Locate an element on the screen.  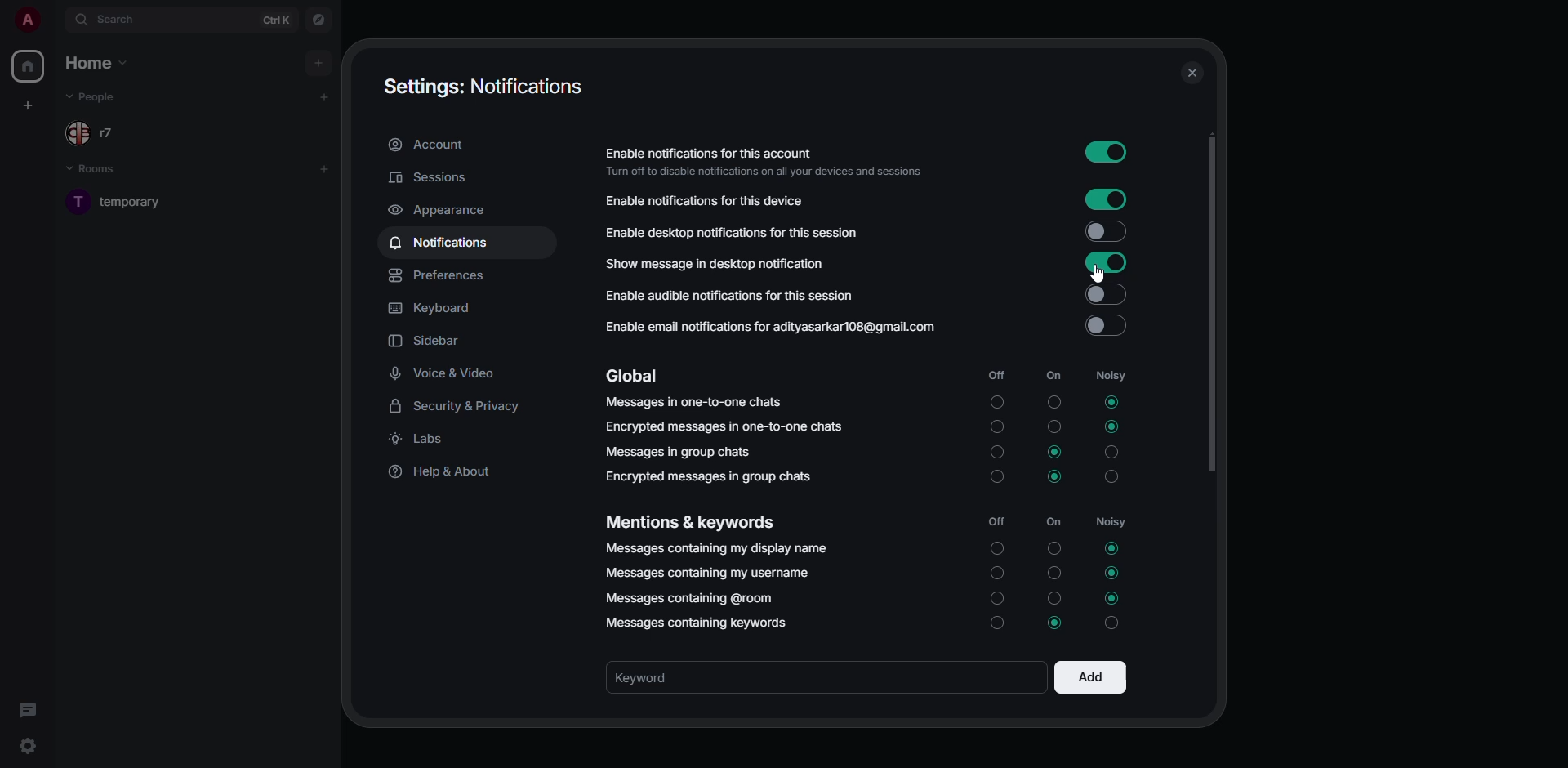
create space is located at coordinates (30, 106).